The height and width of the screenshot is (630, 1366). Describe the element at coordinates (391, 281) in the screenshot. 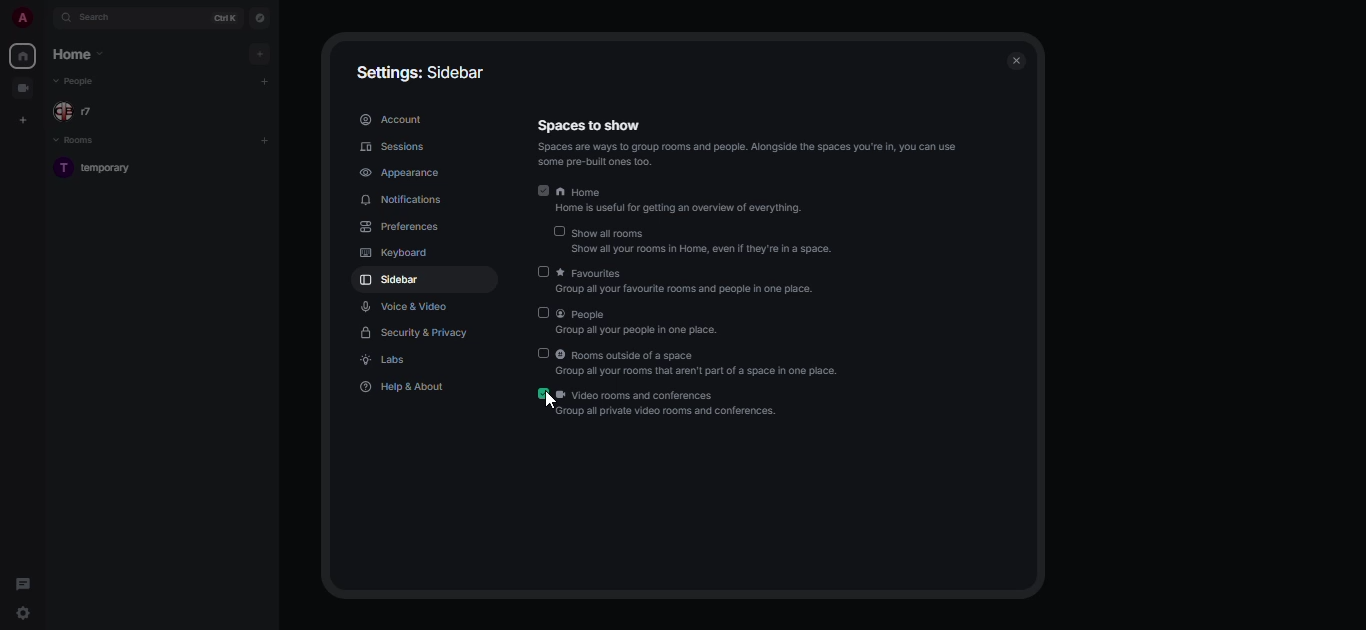

I see `sidebar` at that location.